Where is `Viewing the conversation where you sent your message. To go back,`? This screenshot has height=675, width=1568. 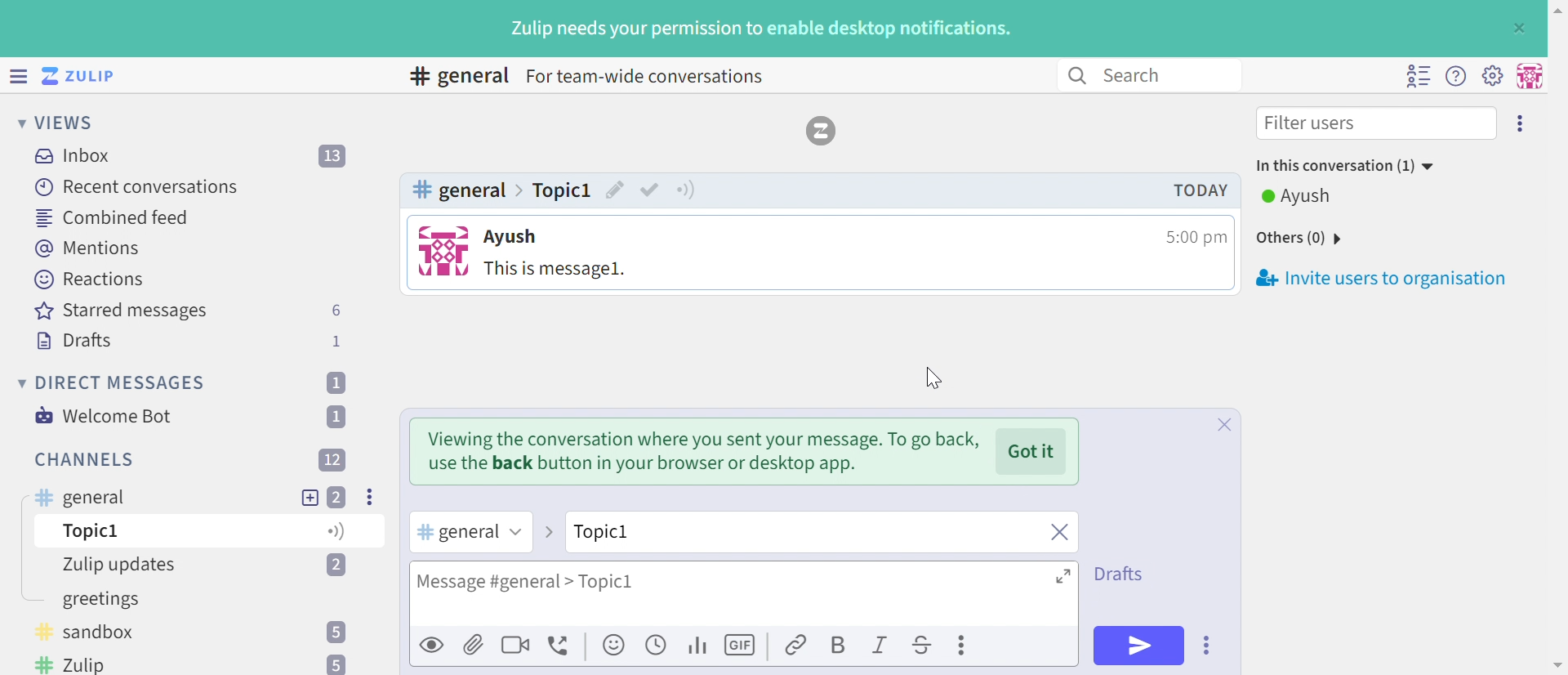 Viewing the conversation where you sent your message. To go back, is located at coordinates (706, 439).